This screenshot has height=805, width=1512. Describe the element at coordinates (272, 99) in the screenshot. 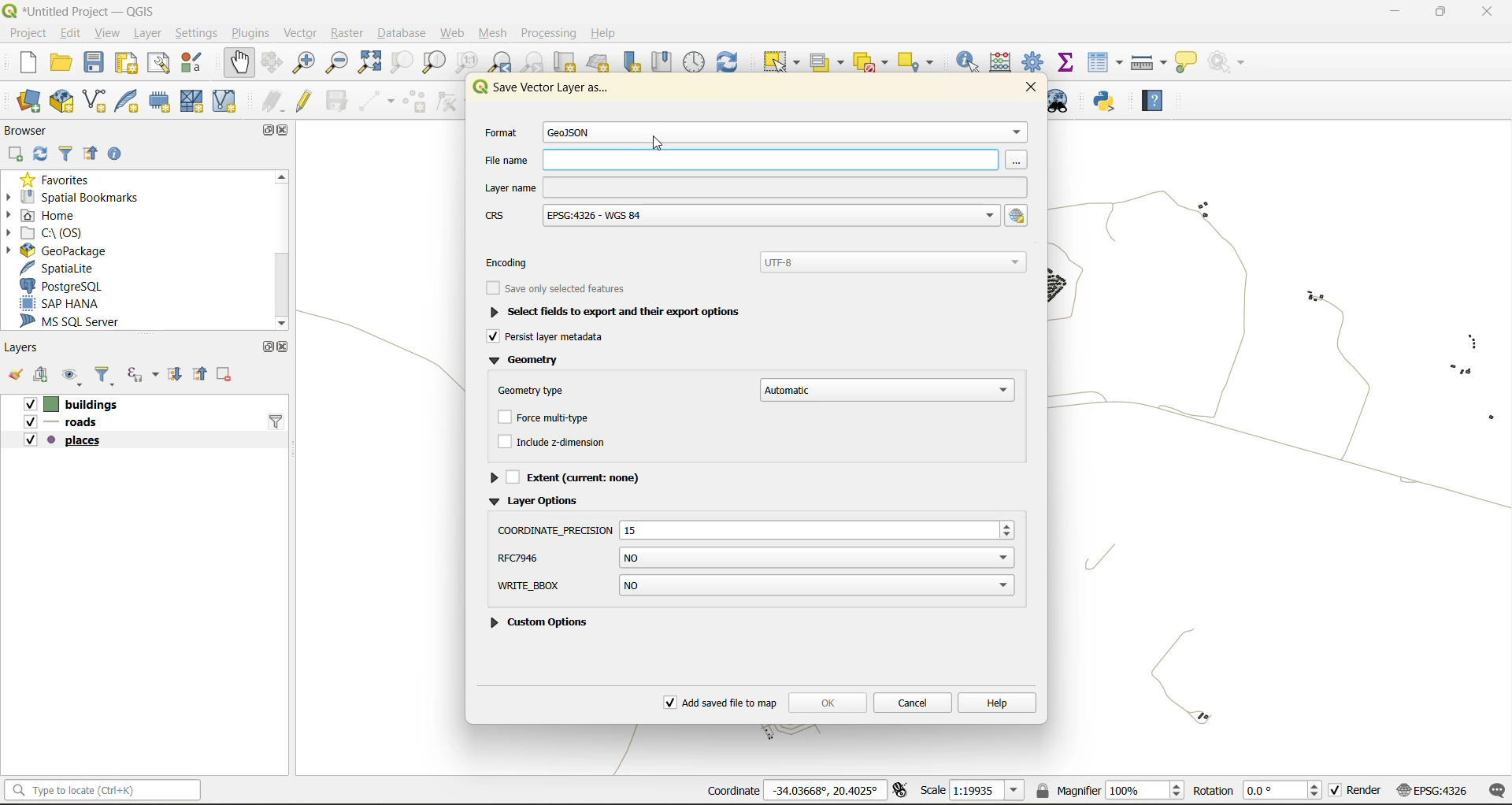

I see `edits` at that location.